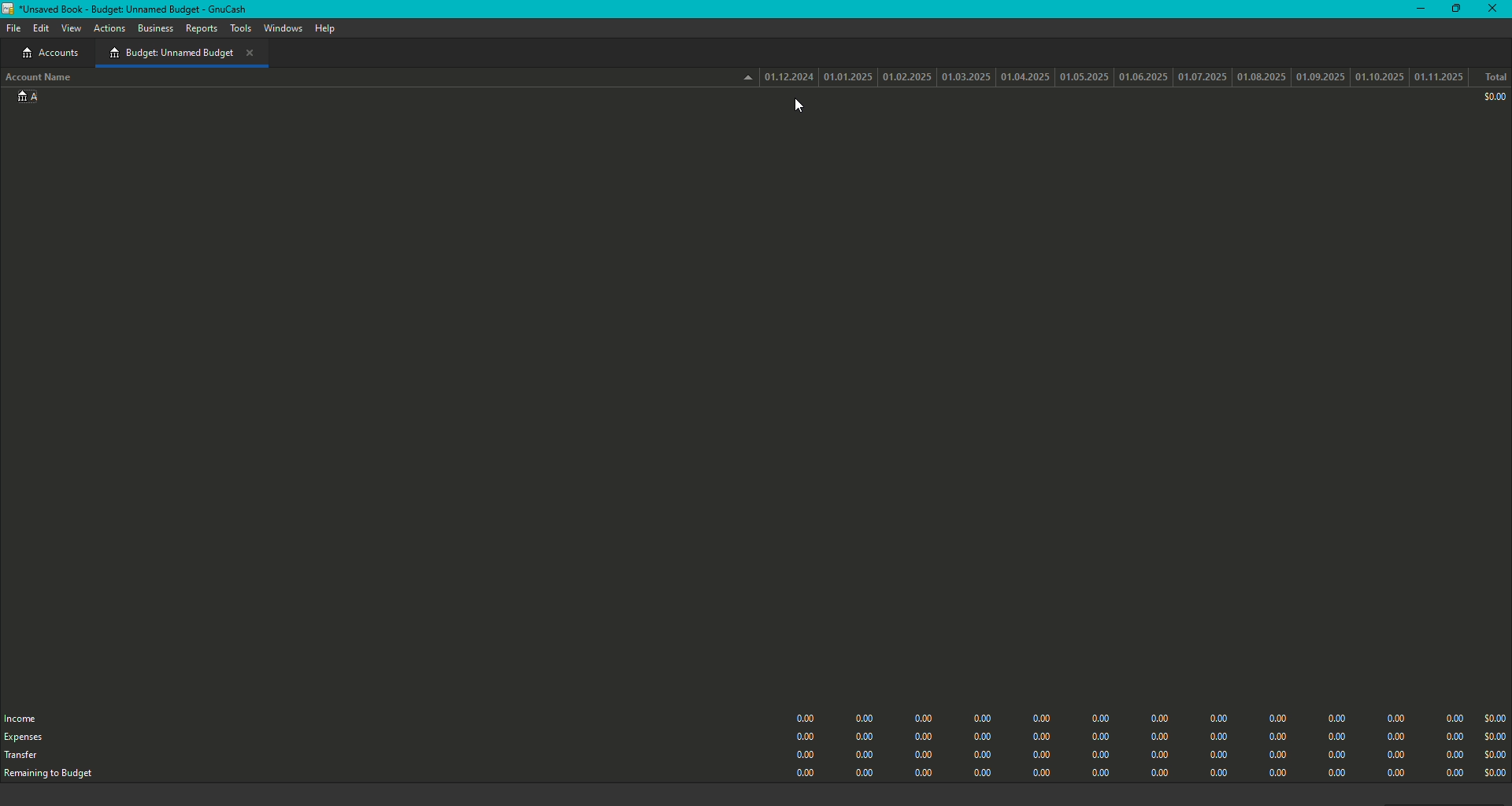 The image size is (1512, 806). What do you see at coordinates (1492, 98) in the screenshot?
I see `$0` at bounding box center [1492, 98].